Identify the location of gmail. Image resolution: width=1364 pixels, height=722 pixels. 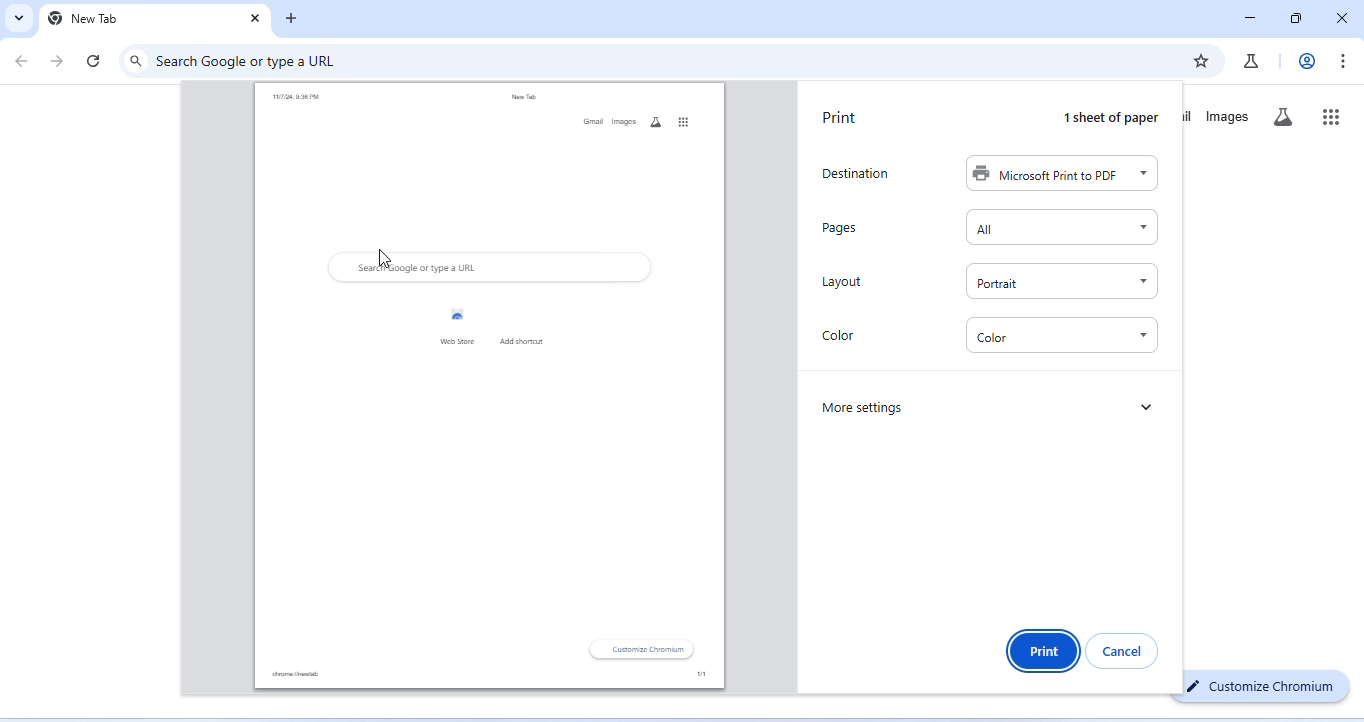
(590, 123).